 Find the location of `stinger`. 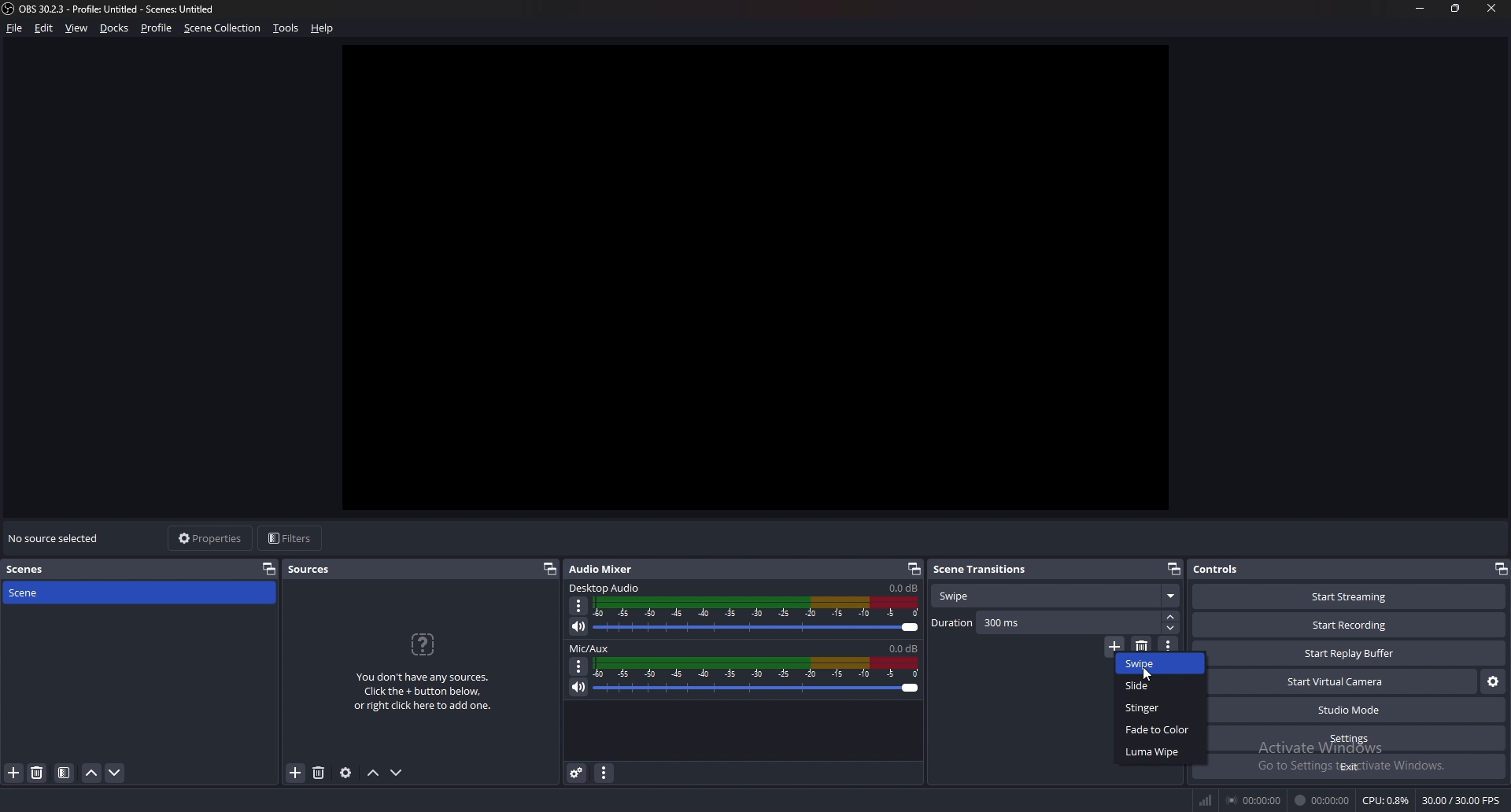

stinger is located at coordinates (1160, 706).